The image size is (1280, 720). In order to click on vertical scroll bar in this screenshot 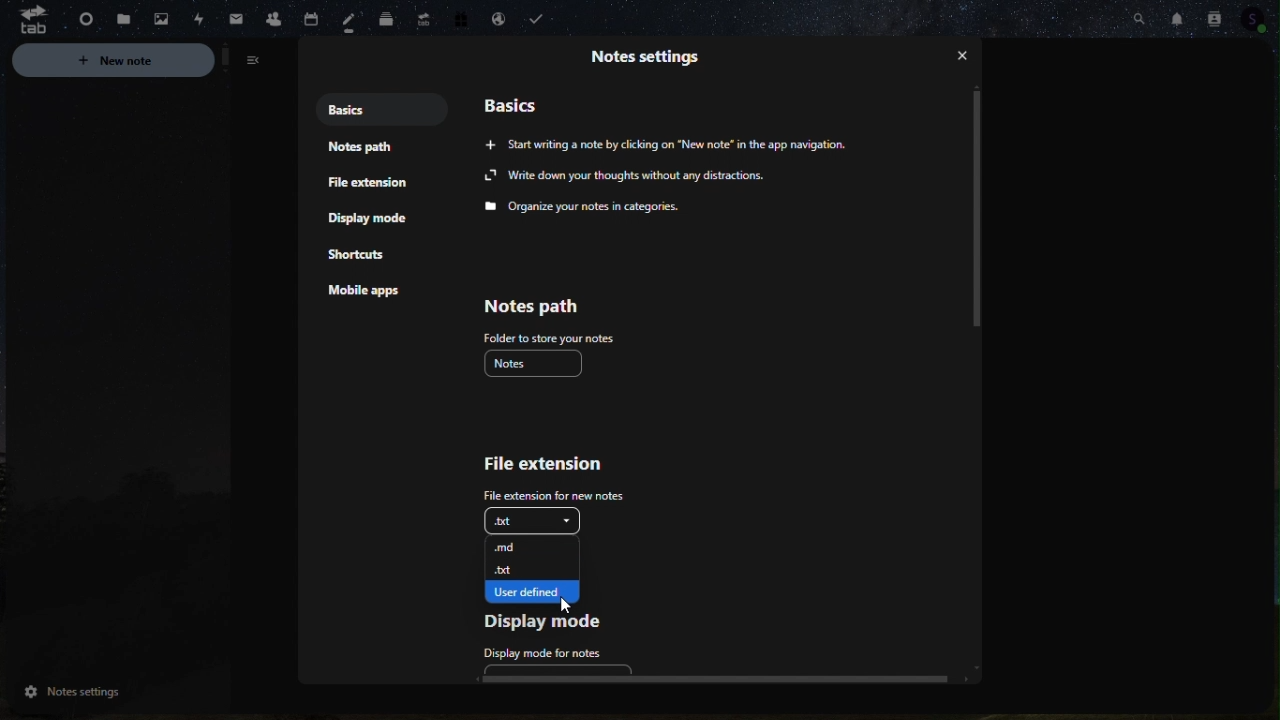, I will do `click(978, 210)`.